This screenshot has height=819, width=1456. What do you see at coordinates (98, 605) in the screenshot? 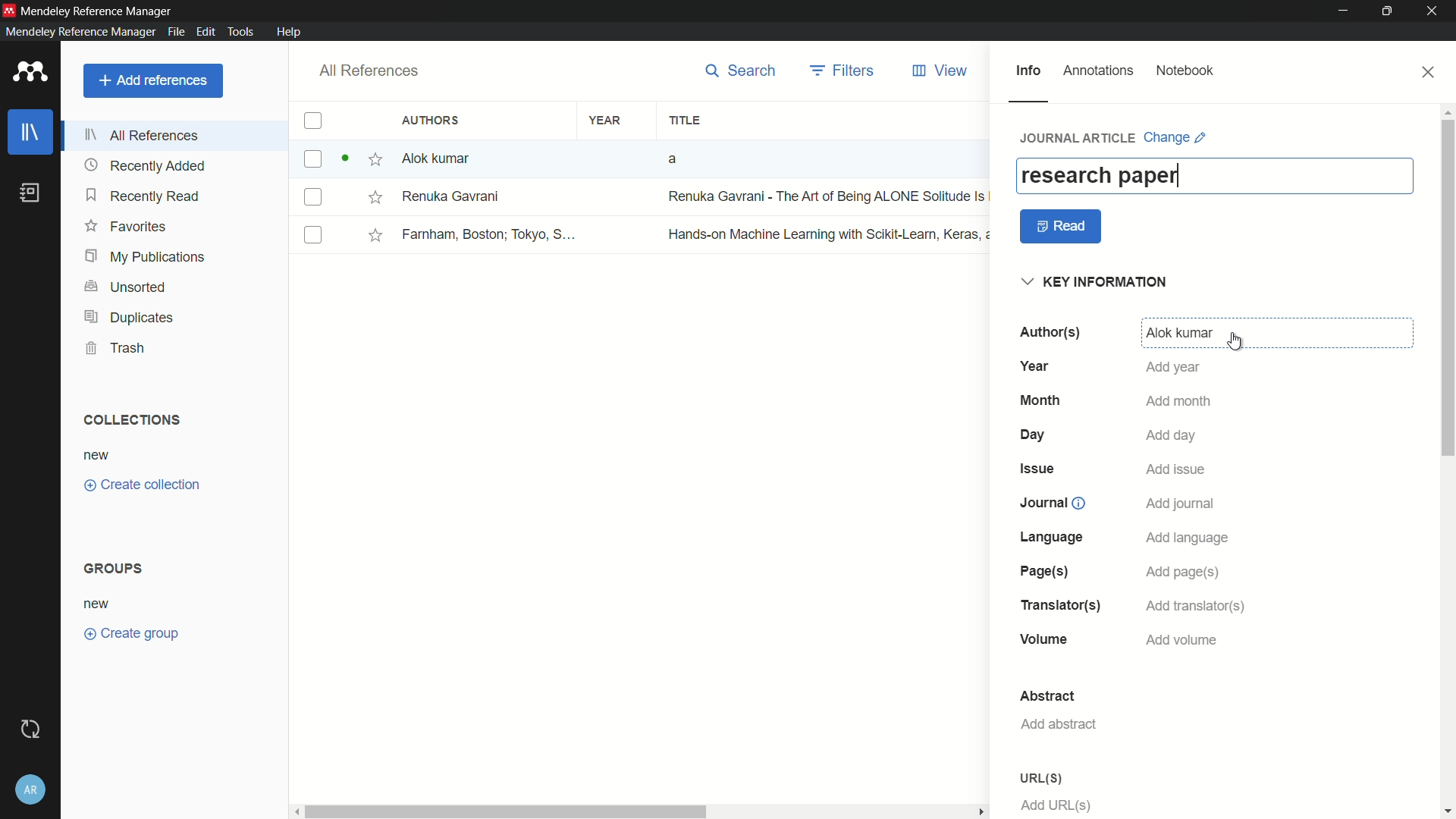
I see `new` at bounding box center [98, 605].